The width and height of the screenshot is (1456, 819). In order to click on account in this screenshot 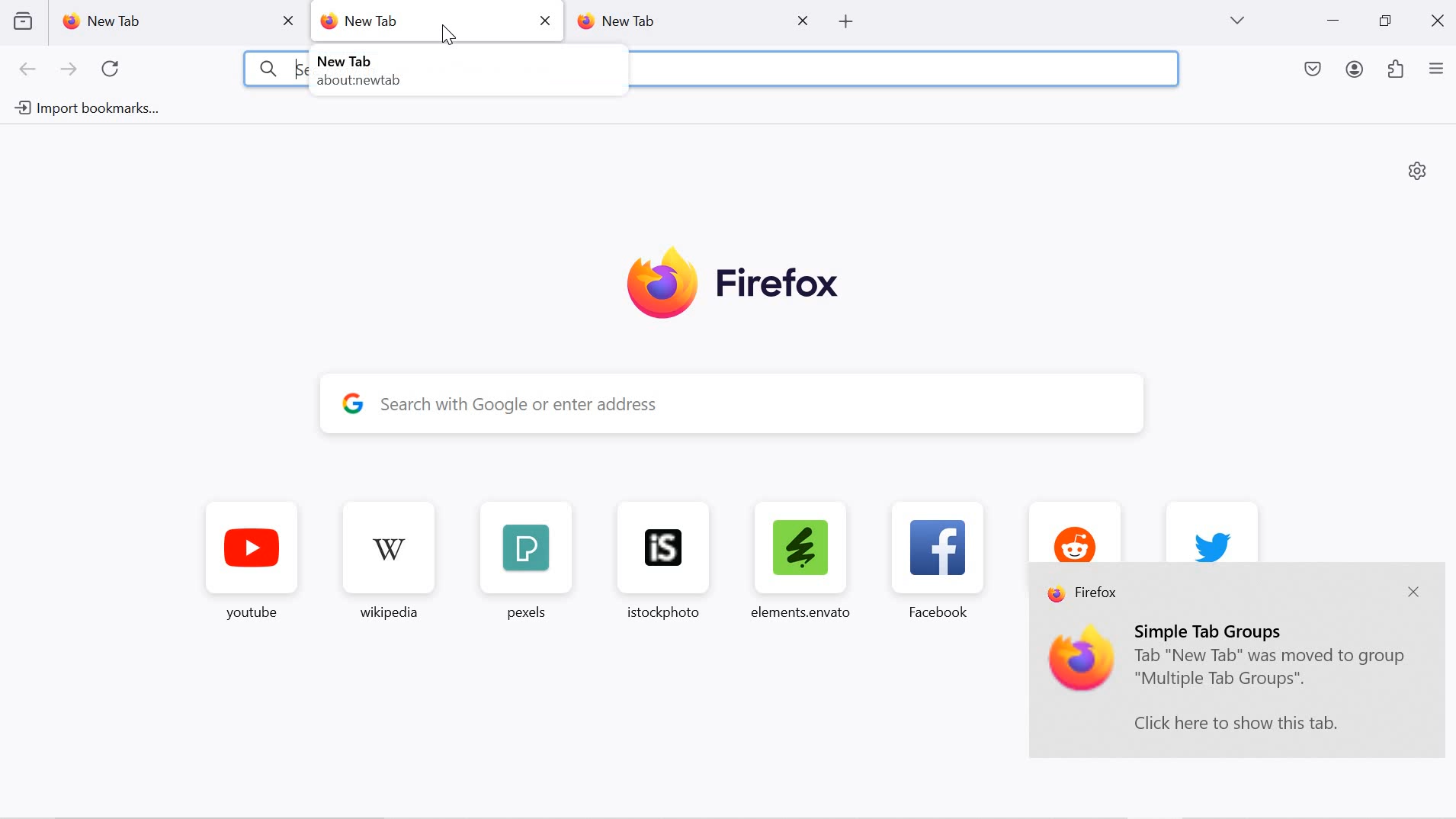, I will do `click(1357, 72)`.